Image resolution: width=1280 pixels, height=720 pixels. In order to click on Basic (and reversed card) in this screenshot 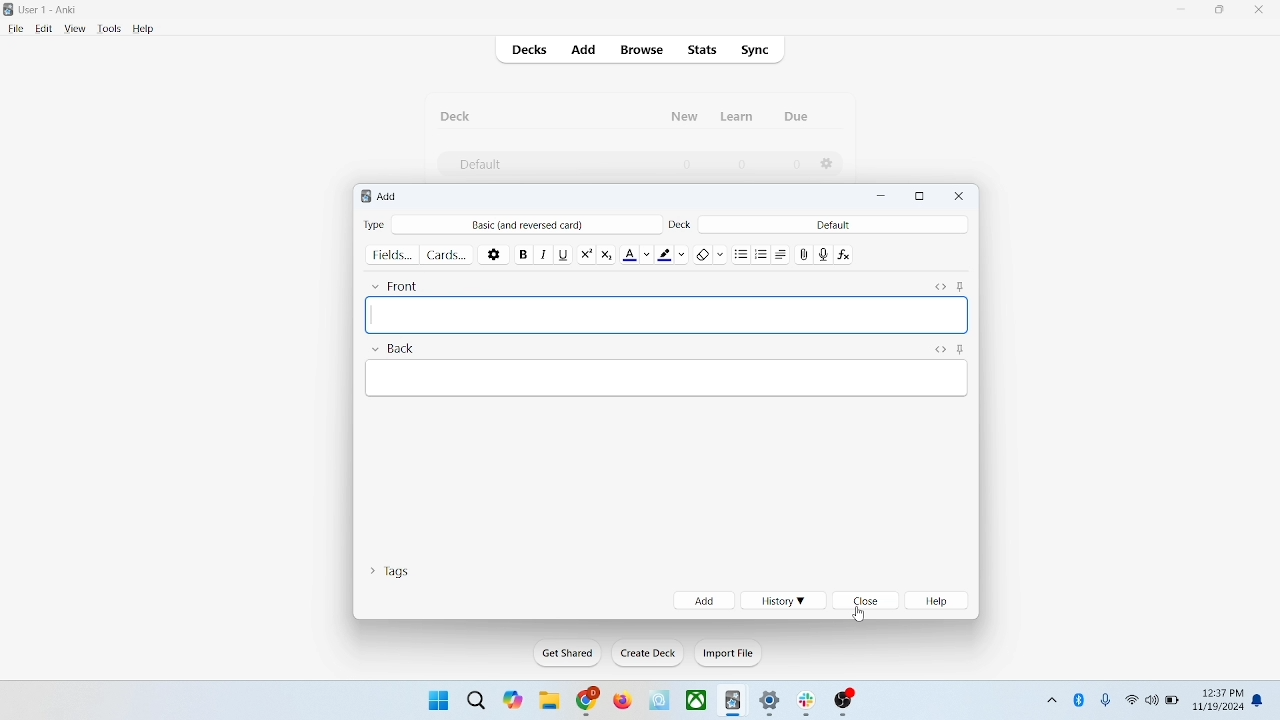, I will do `click(537, 225)`.